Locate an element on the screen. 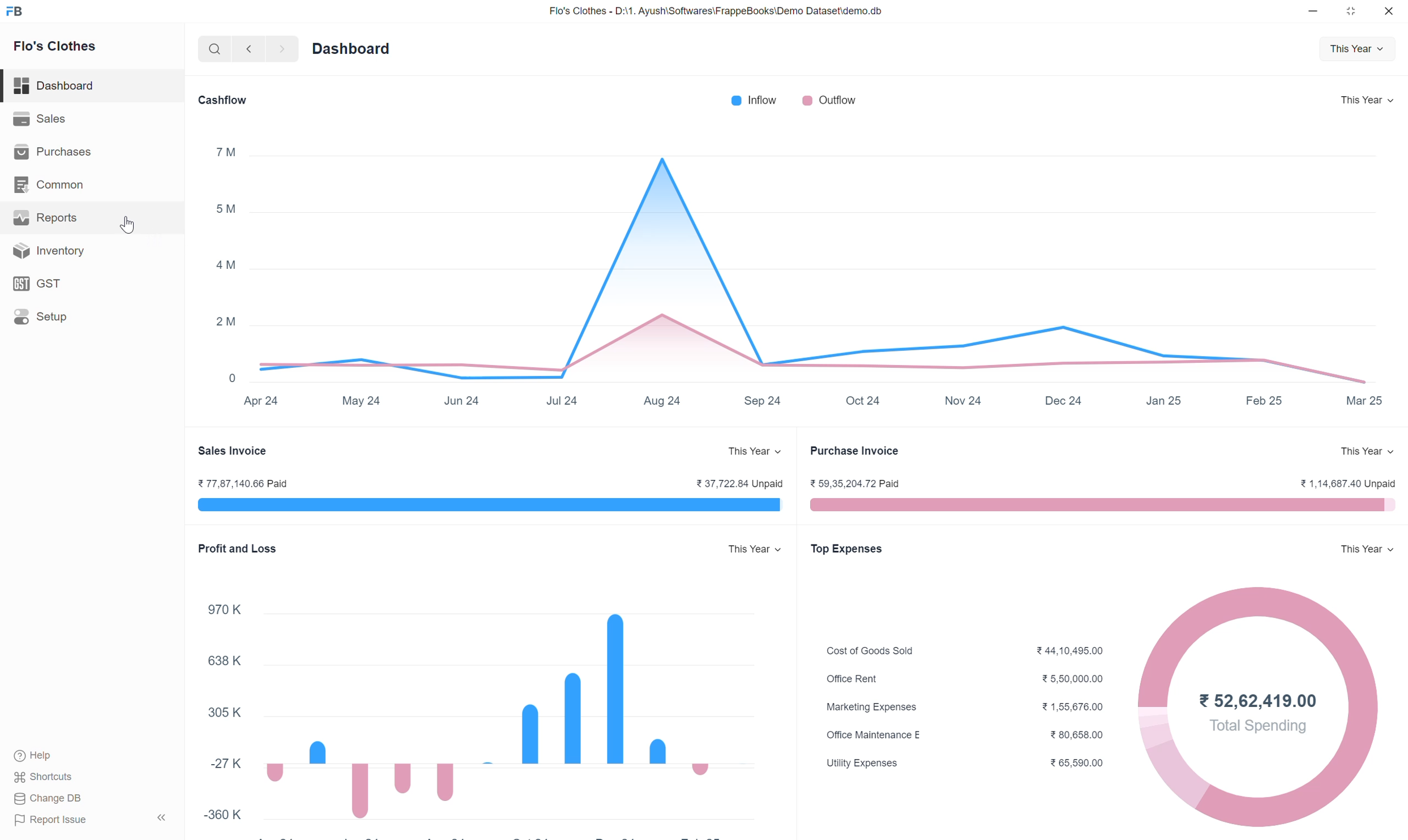   Dashboard is located at coordinates (62, 87).